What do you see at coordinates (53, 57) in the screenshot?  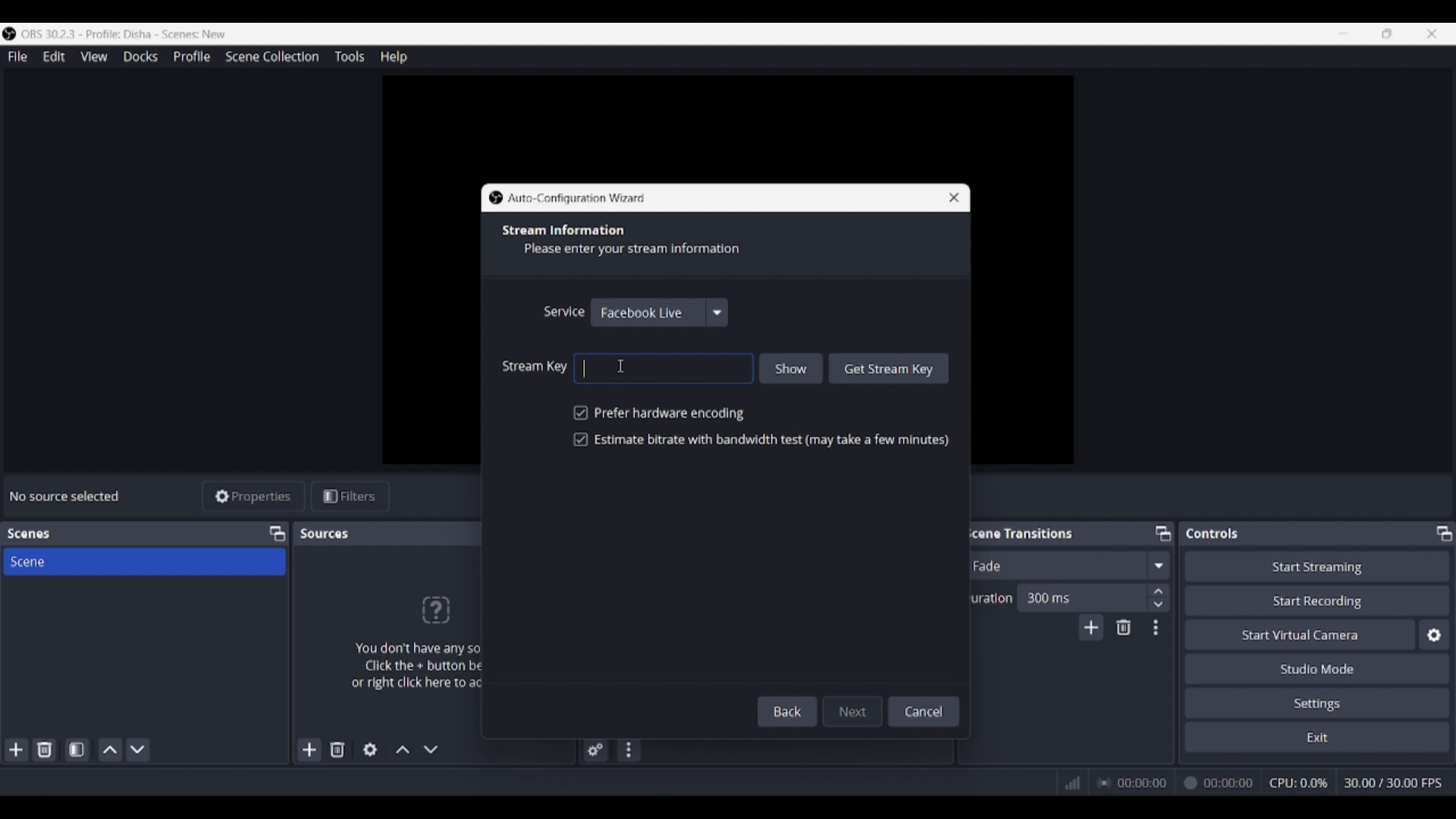 I see `Edit menu` at bounding box center [53, 57].